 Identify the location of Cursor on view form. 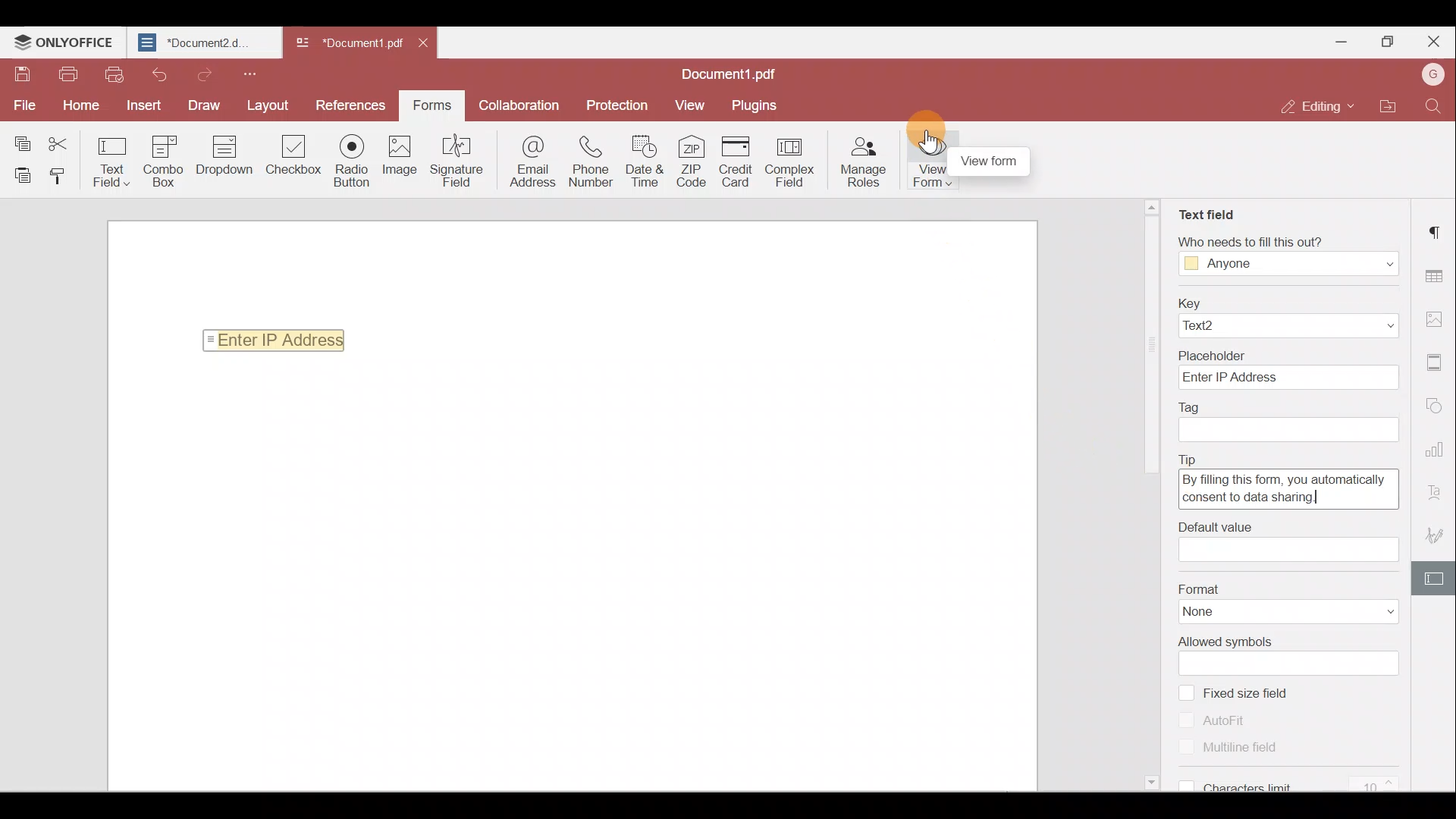
(929, 142).